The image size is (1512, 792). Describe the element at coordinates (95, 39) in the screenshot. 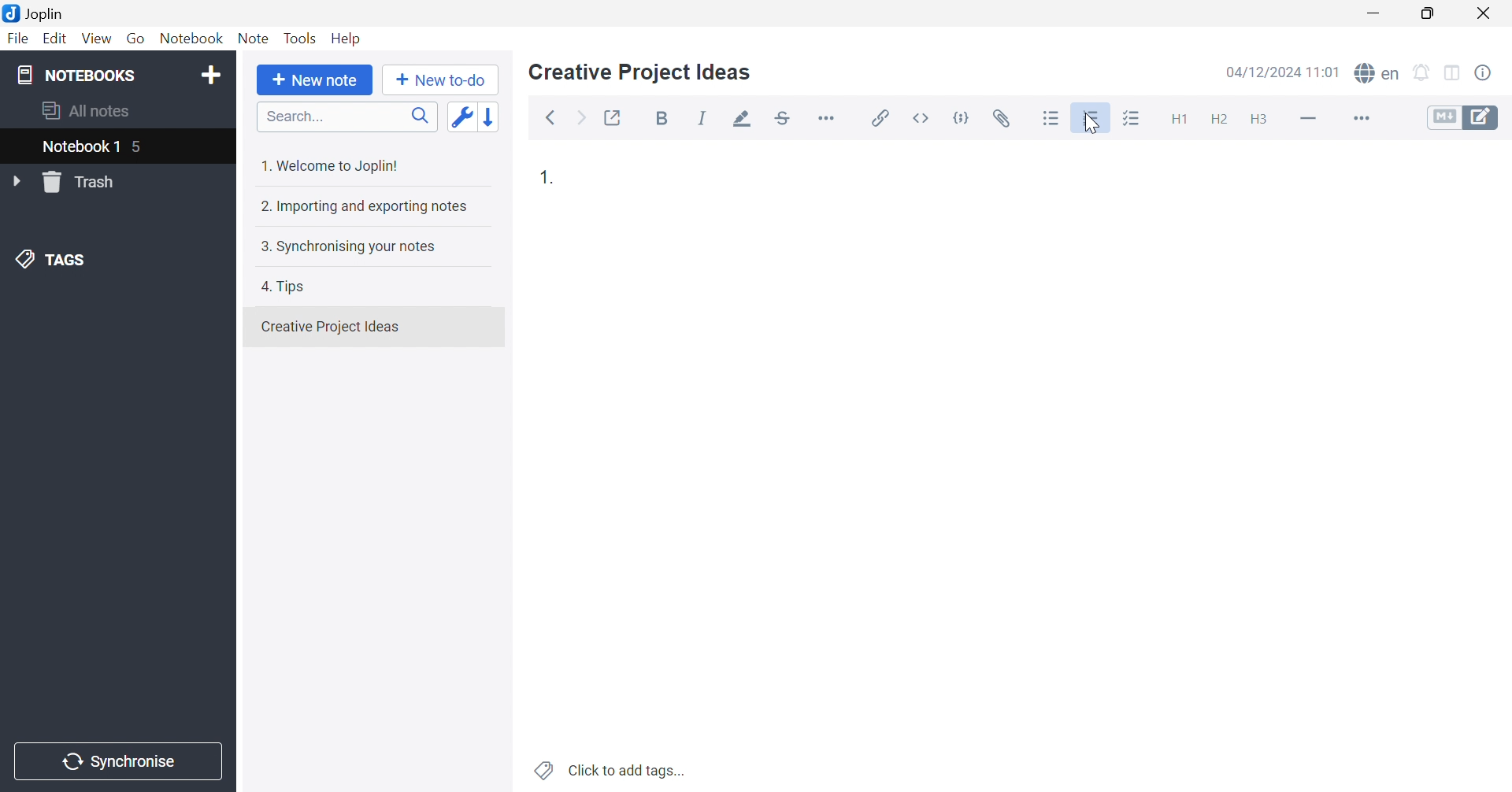

I see `View` at that location.